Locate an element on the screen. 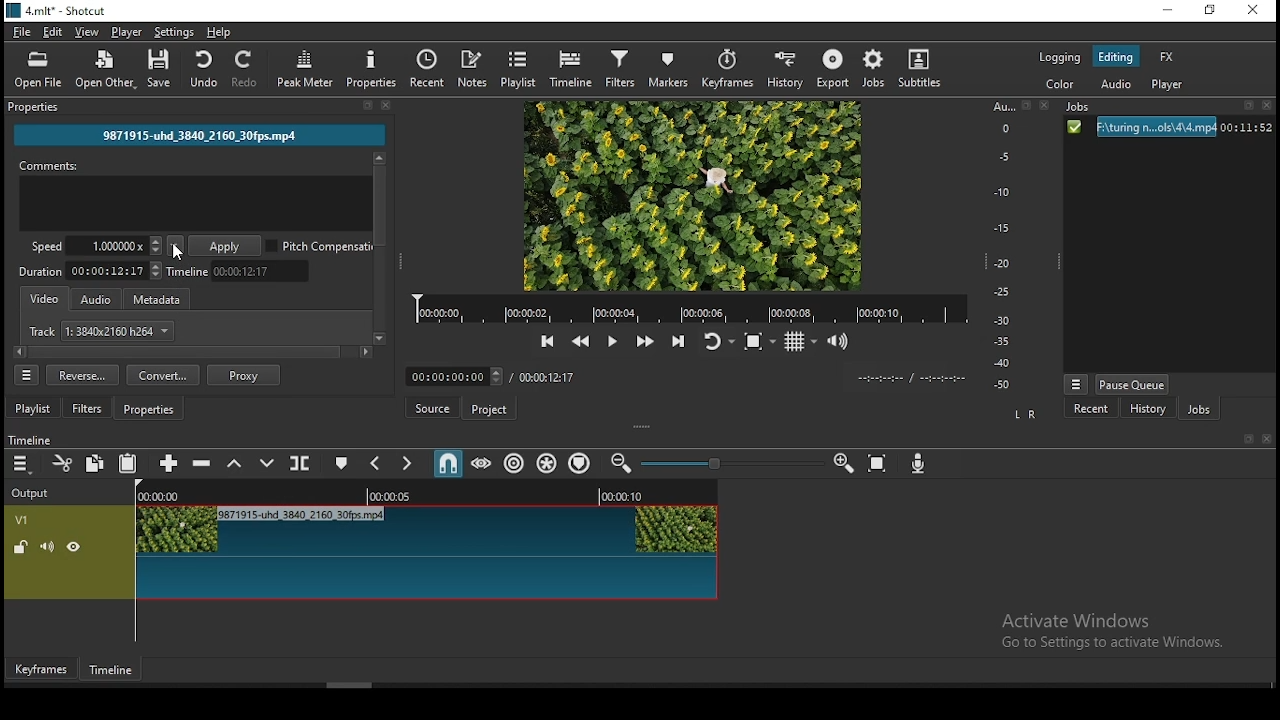 The width and height of the screenshot is (1280, 720). jobs is located at coordinates (872, 68).